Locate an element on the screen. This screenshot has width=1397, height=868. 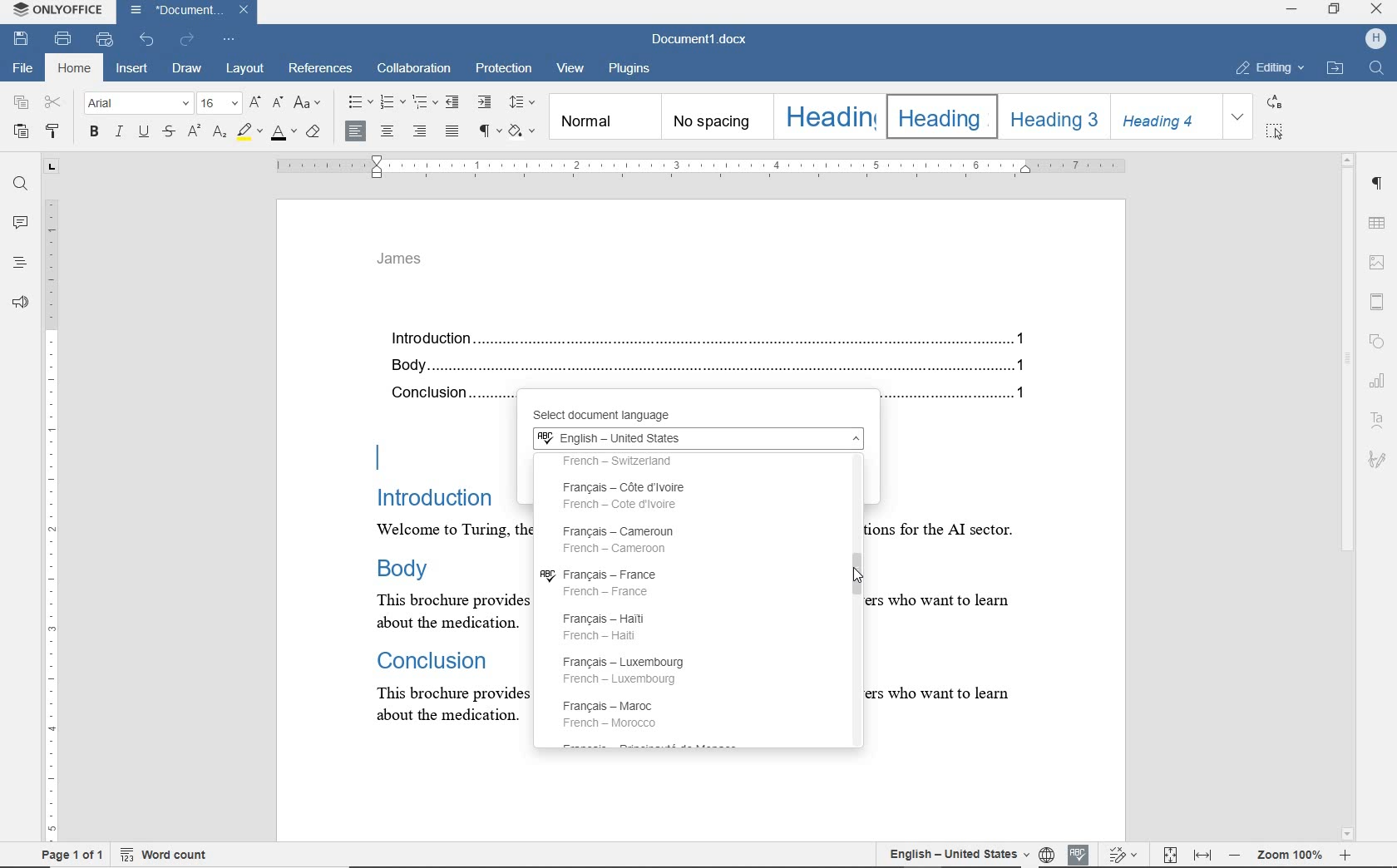
Body...........................................................................................................................................1 is located at coordinates (714, 367).